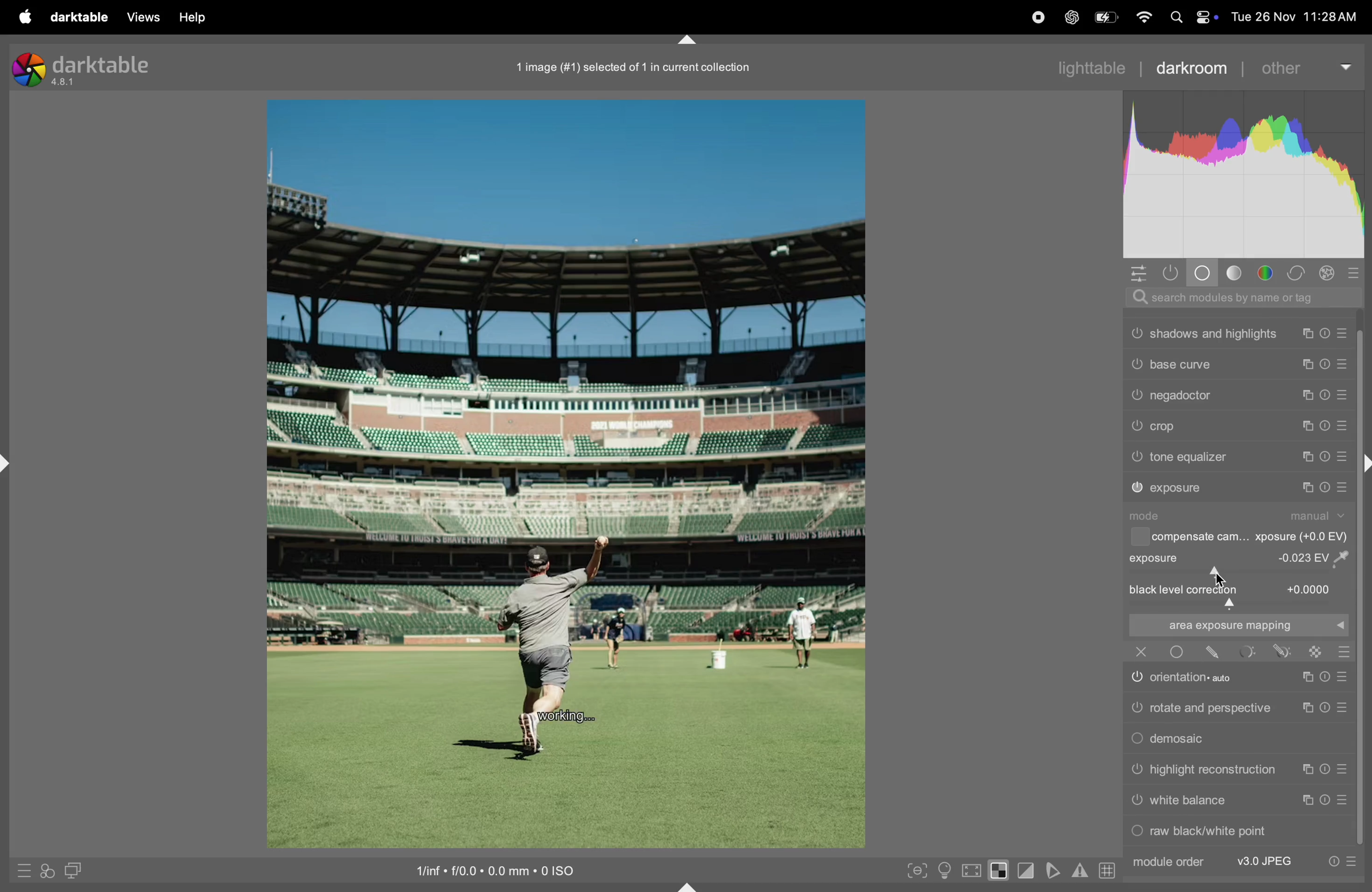 Image resolution: width=1372 pixels, height=892 pixels. I want to click on quick access, so click(47, 872).